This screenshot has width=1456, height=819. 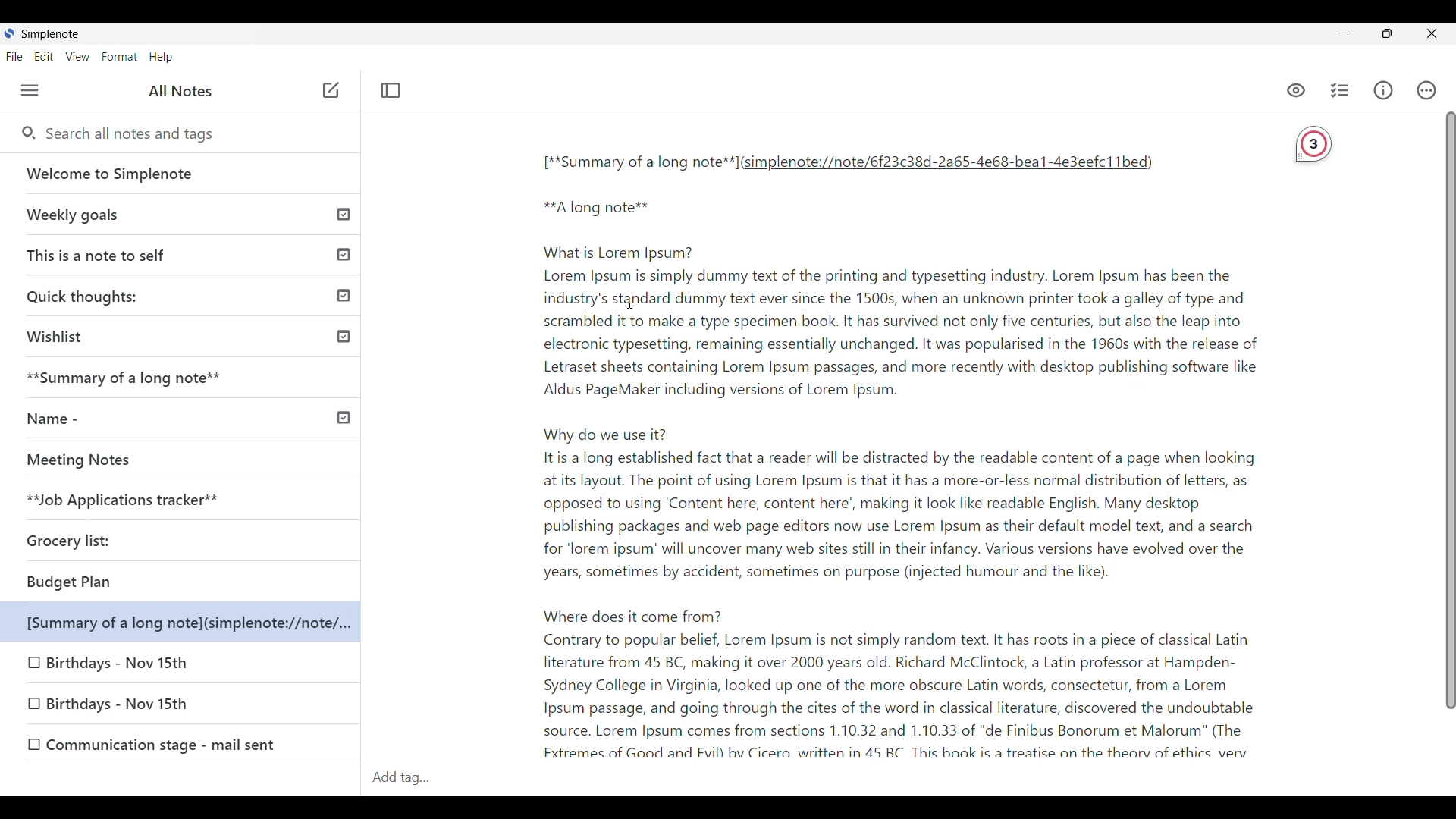 What do you see at coordinates (1294, 91) in the screenshot?
I see `Markdown preview` at bounding box center [1294, 91].